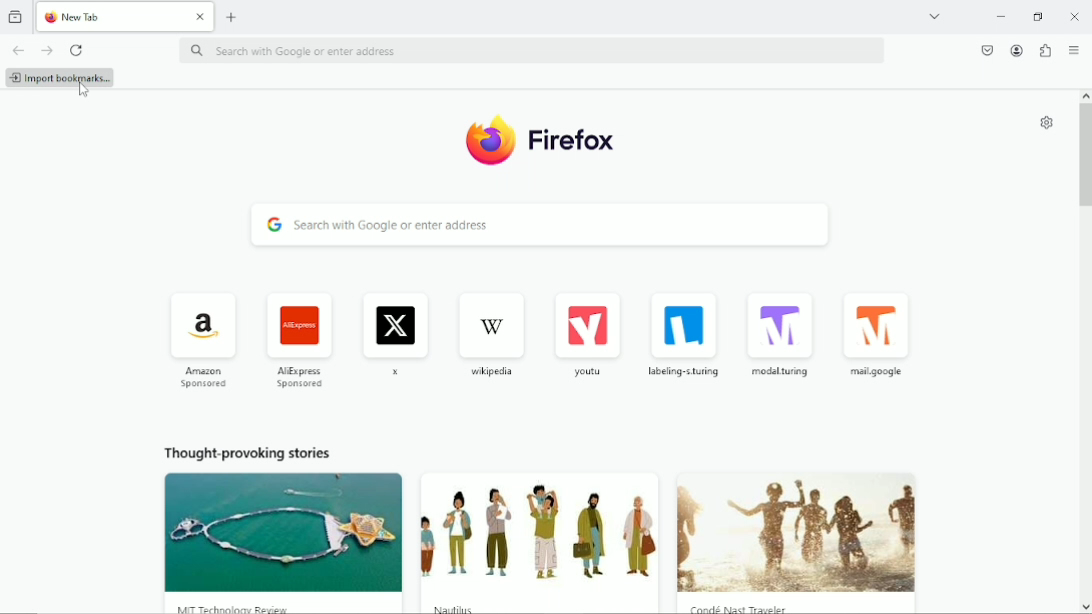  I want to click on AliExpress, so click(294, 339).